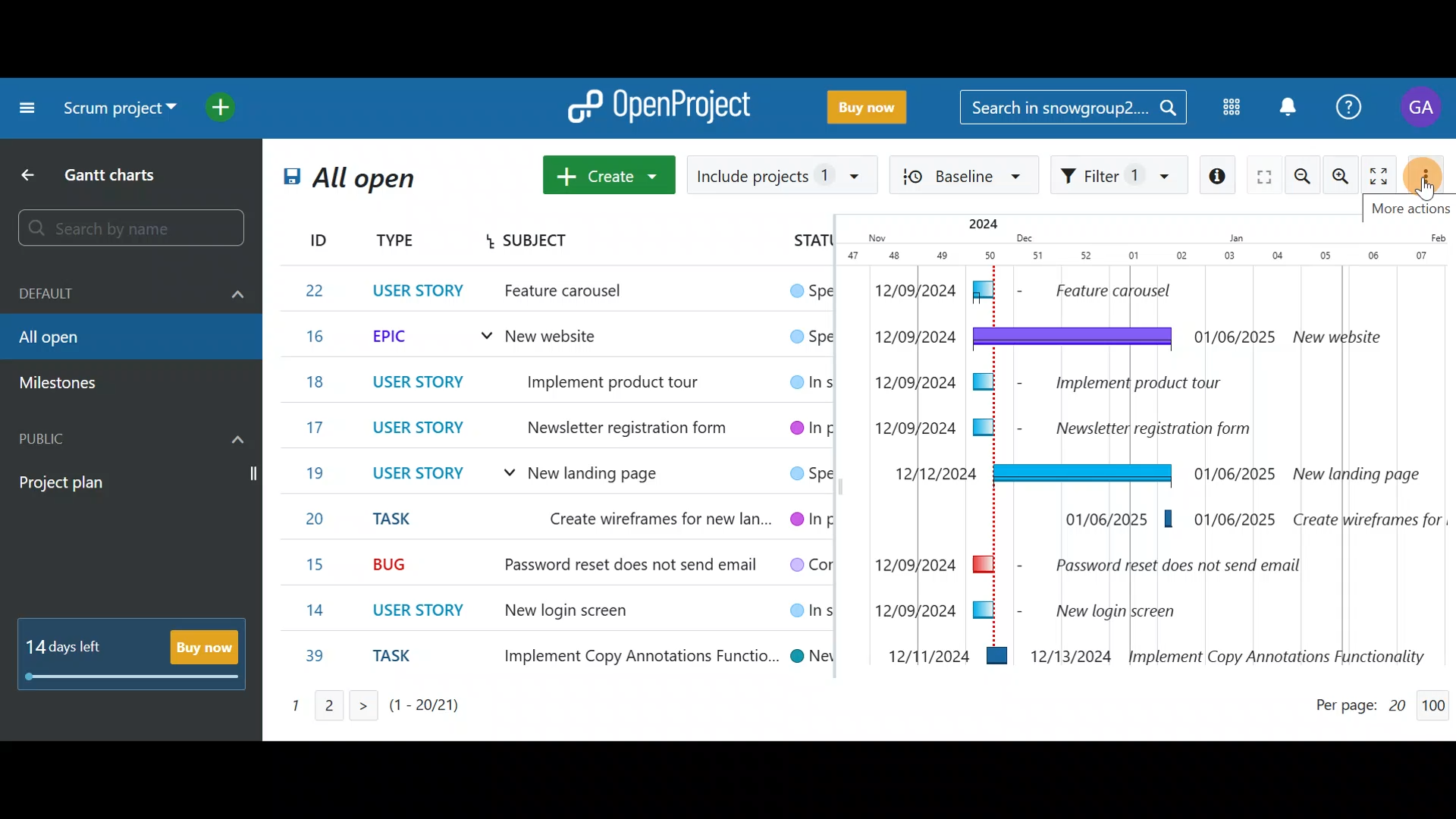 The height and width of the screenshot is (819, 1456). I want to click on Newsletter registration form, so click(627, 425).